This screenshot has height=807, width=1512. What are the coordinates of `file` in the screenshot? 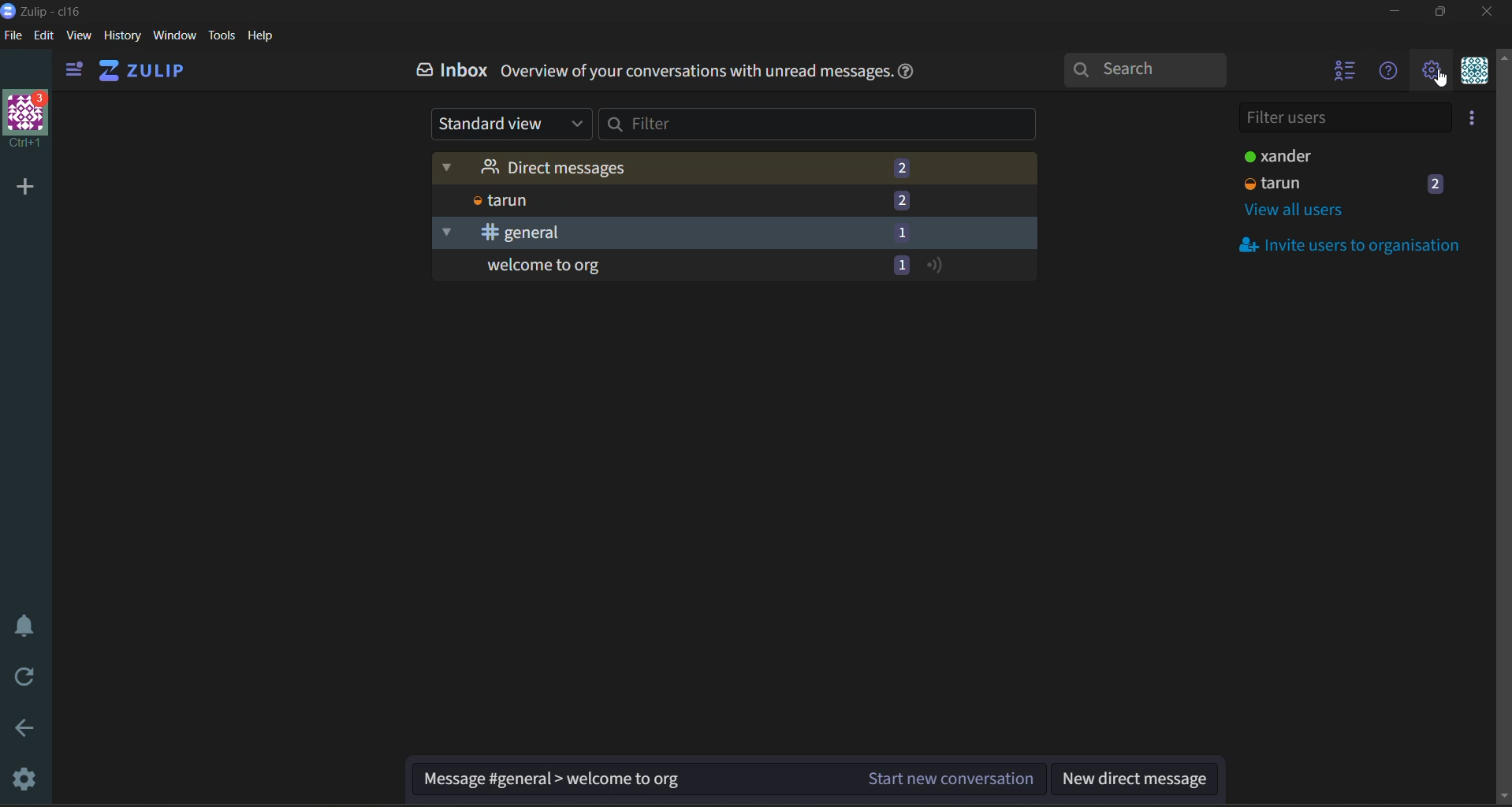 It's located at (13, 35).